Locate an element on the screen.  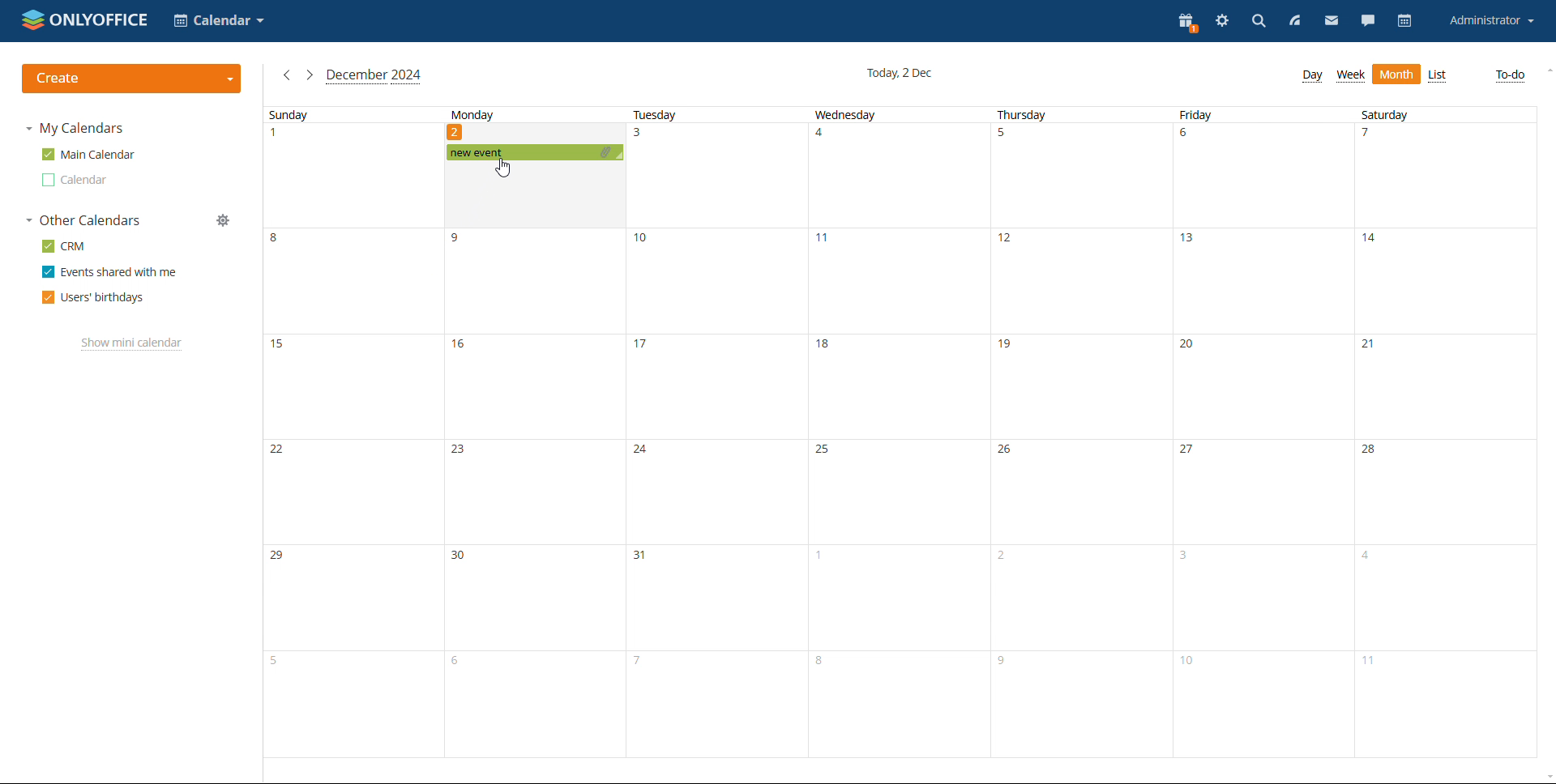
chat is located at coordinates (1368, 21).